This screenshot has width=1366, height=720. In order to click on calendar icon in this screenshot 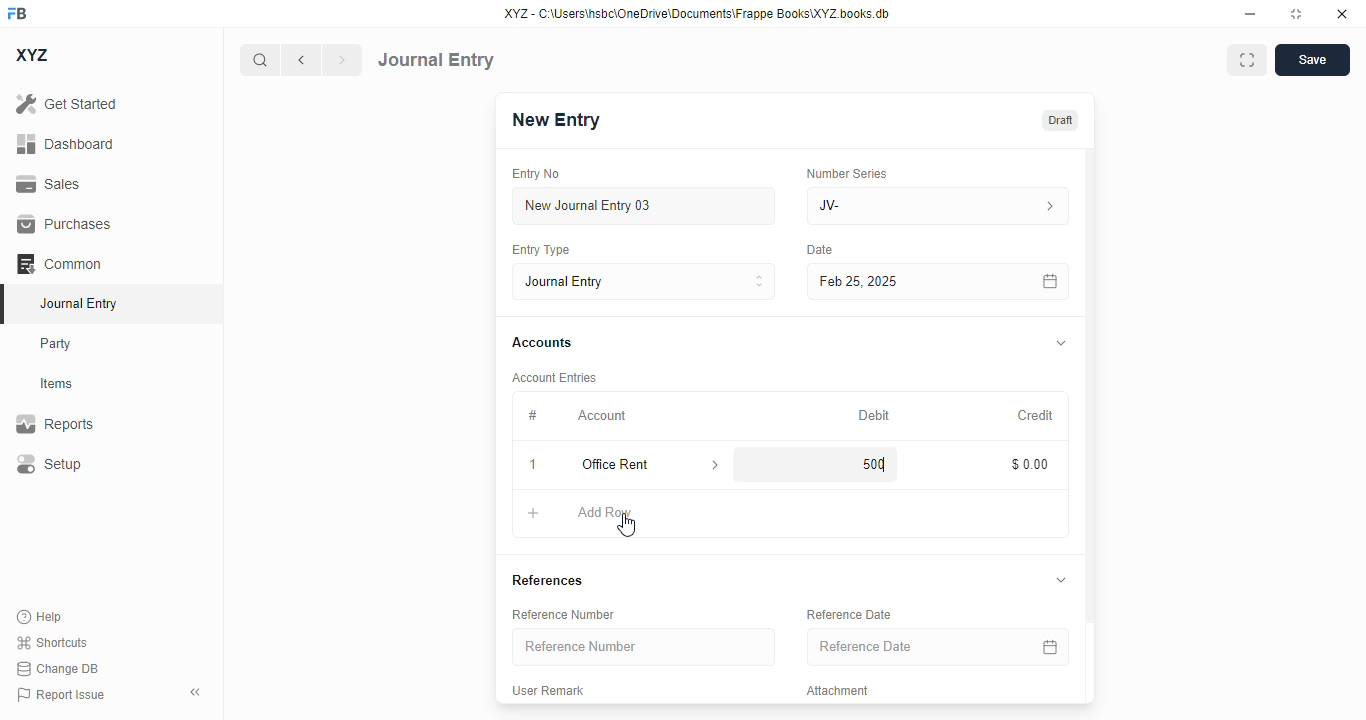, I will do `click(1051, 282)`.